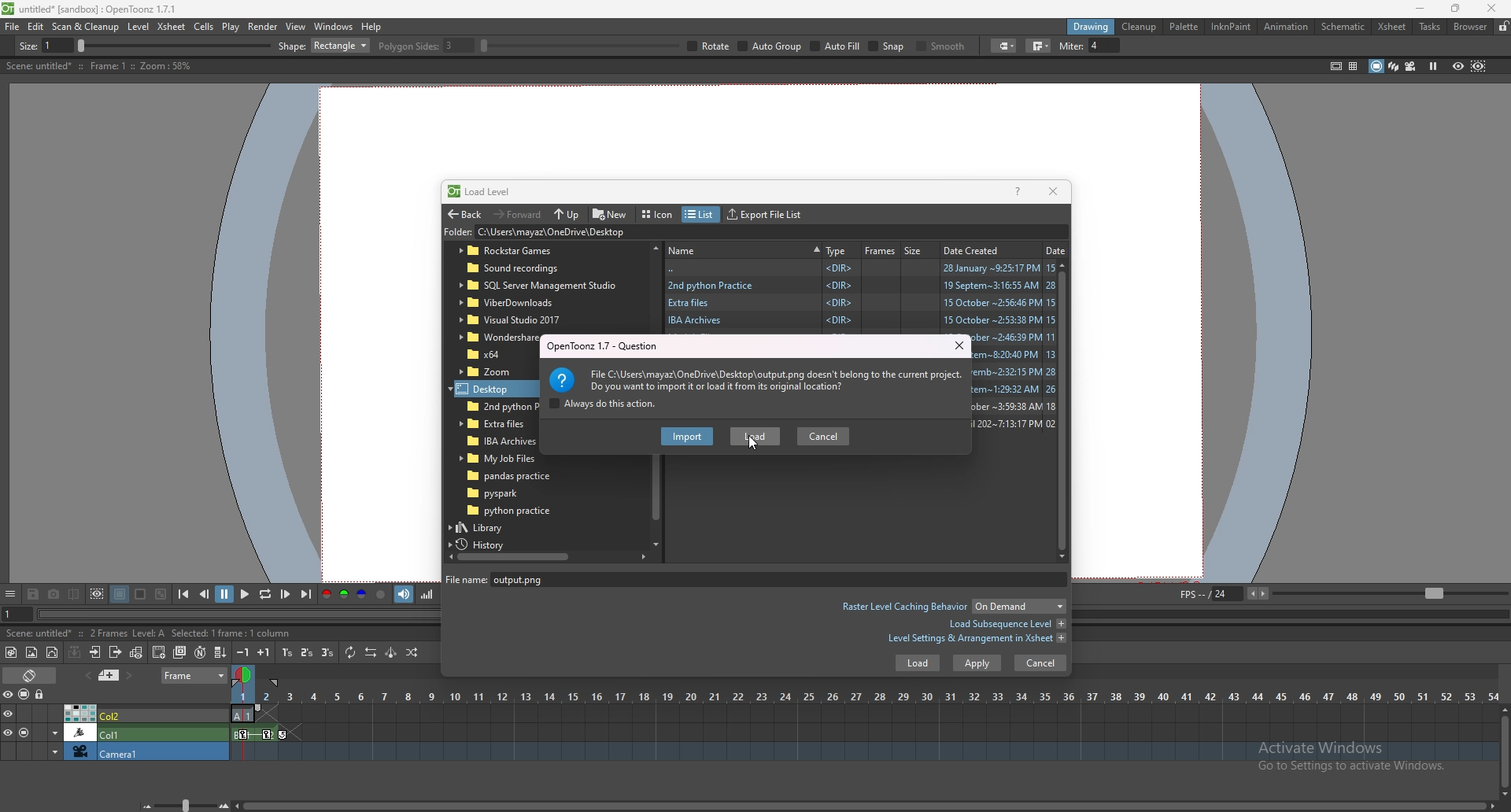  What do you see at coordinates (602, 404) in the screenshot?
I see `always do this action` at bounding box center [602, 404].